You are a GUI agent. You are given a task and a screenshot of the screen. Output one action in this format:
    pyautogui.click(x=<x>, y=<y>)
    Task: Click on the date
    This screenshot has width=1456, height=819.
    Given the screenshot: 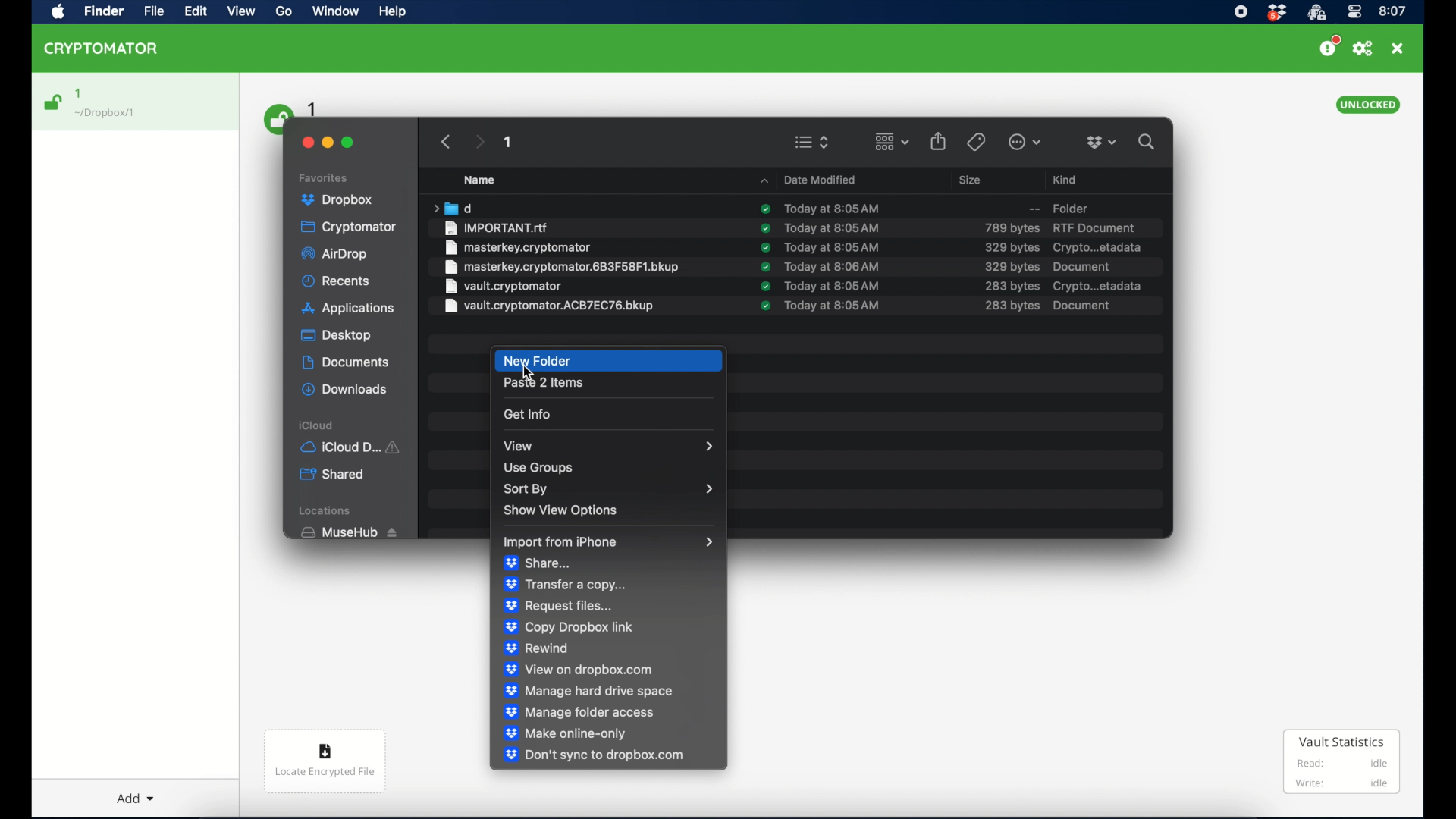 What is the action you would take?
    pyautogui.click(x=830, y=207)
    